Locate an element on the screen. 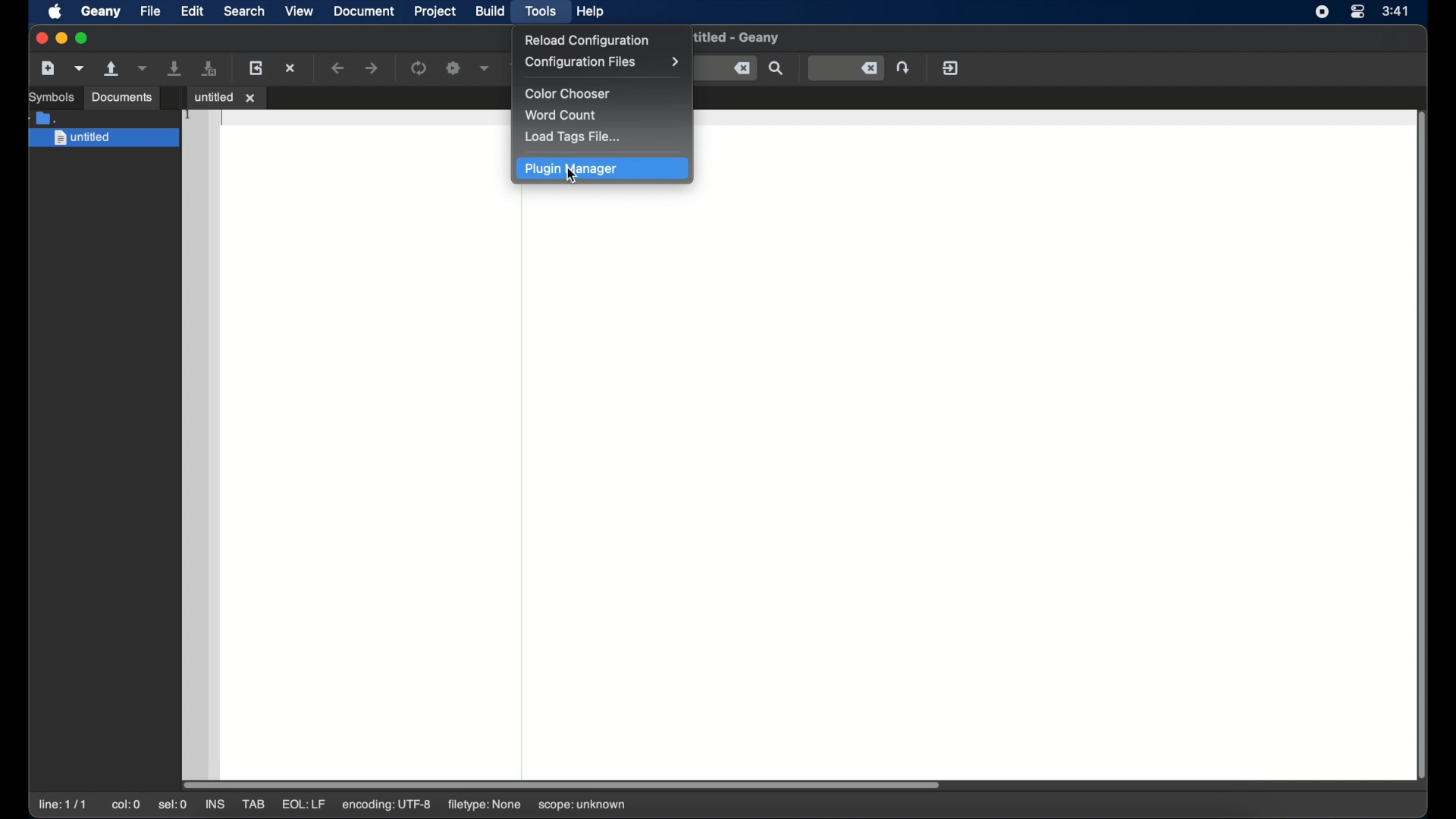 The width and height of the screenshot is (1456, 819). edit is located at coordinates (193, 12).